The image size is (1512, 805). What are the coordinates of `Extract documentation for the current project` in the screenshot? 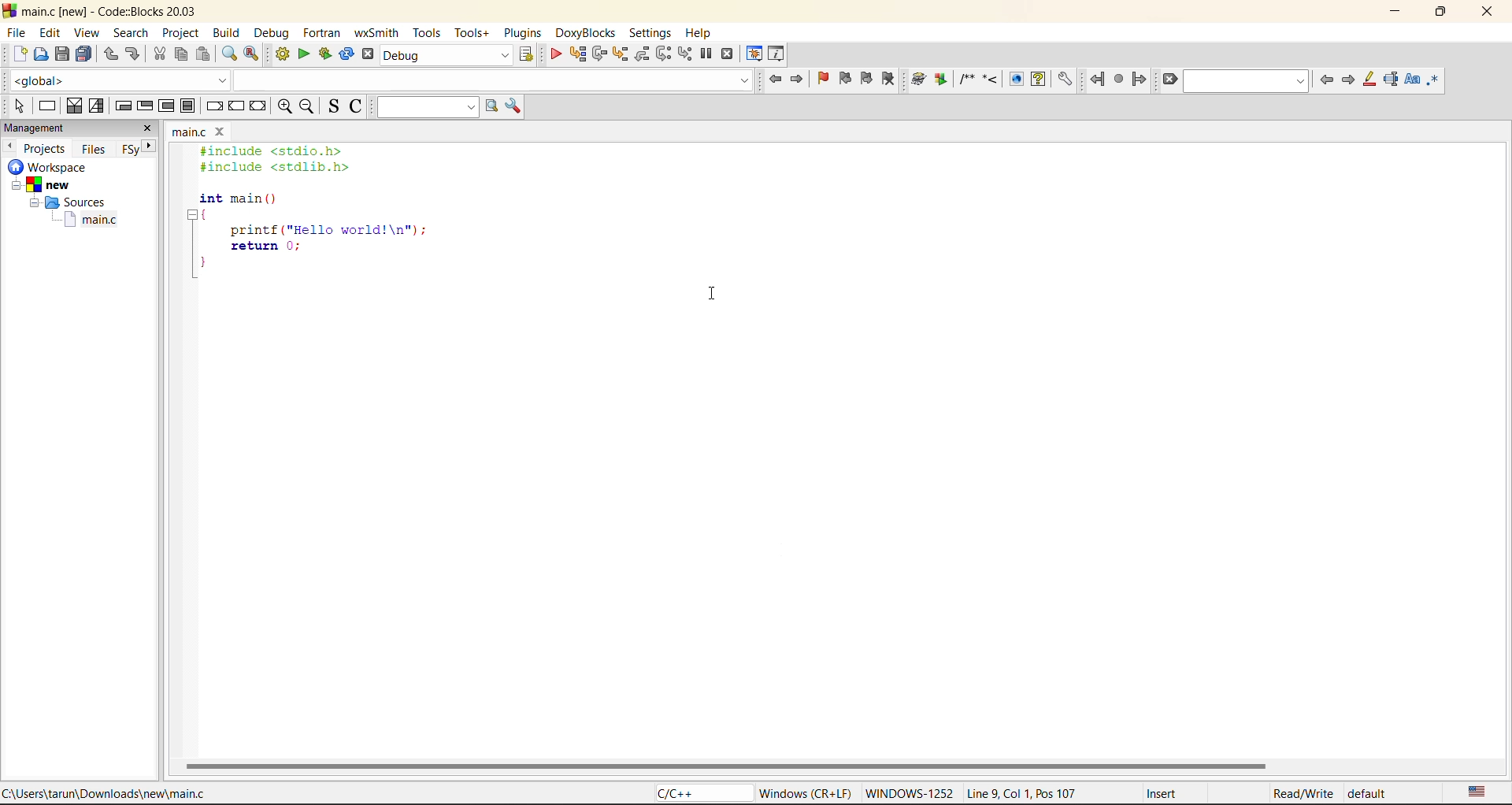 It's located at (939, 80).